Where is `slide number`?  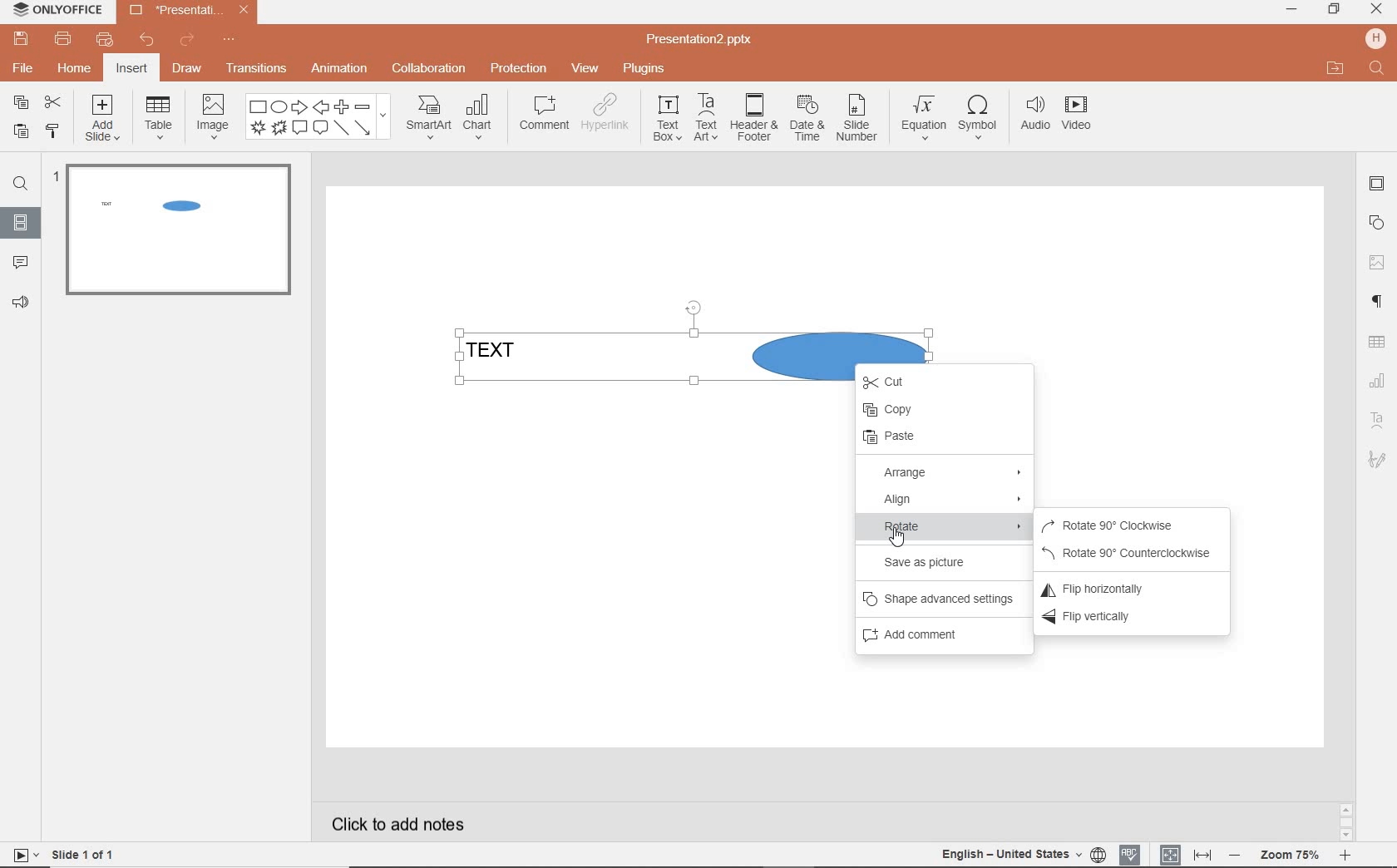 slide number is located at coordinates (856, 121).